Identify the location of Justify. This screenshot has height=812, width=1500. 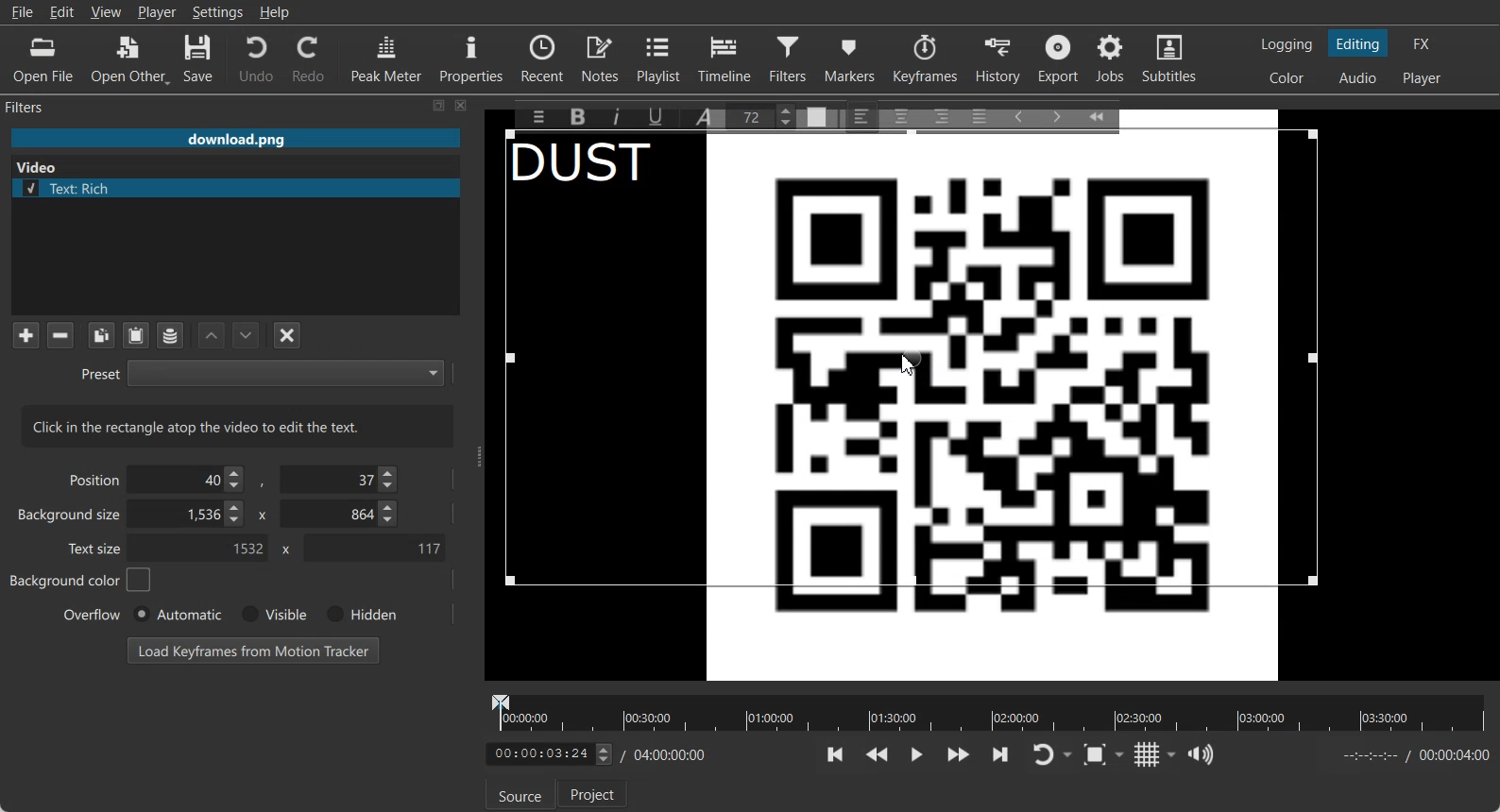
(980, 113).